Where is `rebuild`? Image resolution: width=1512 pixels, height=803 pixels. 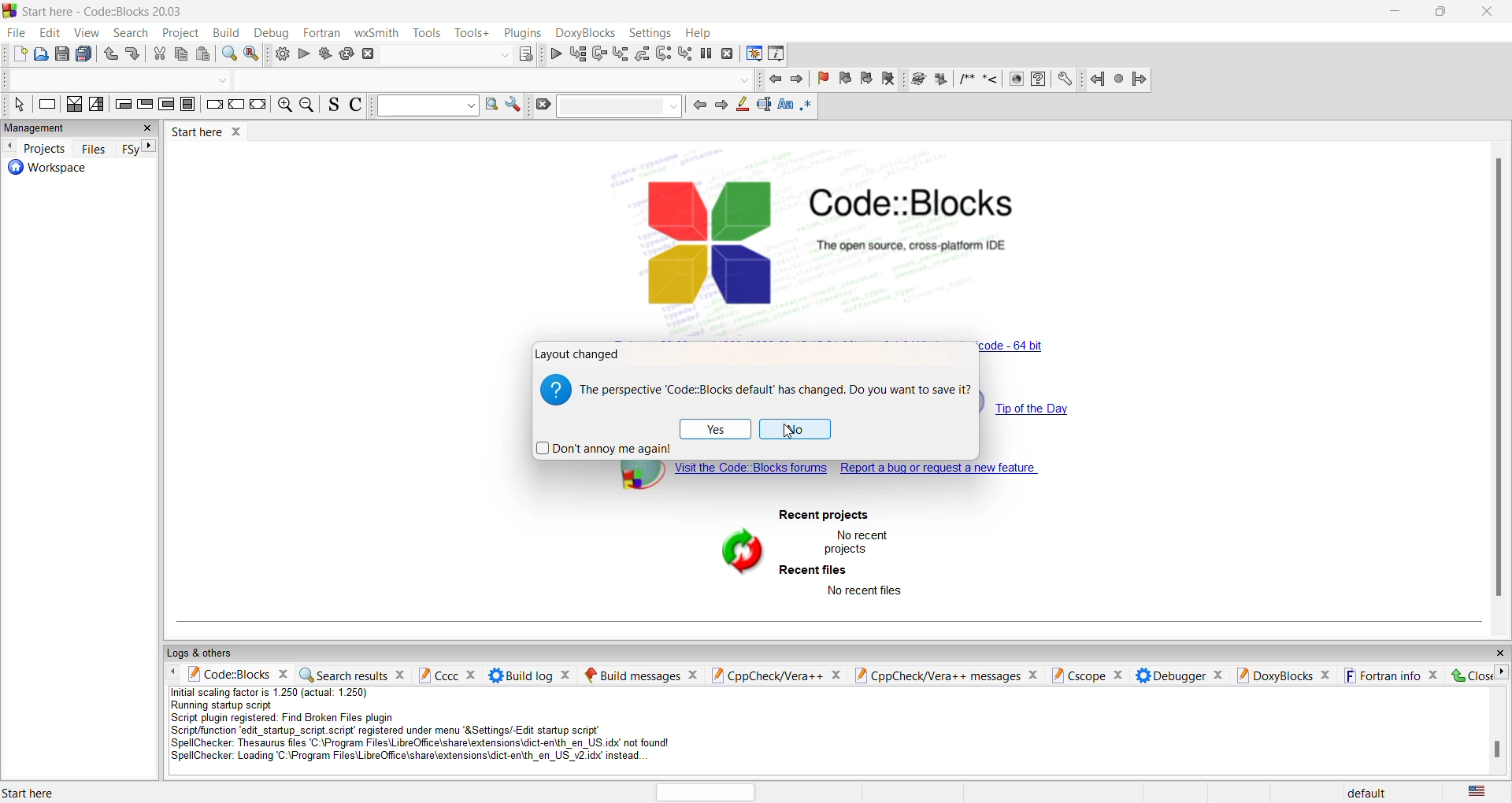
rebuild is located at coordinates (346, 54).